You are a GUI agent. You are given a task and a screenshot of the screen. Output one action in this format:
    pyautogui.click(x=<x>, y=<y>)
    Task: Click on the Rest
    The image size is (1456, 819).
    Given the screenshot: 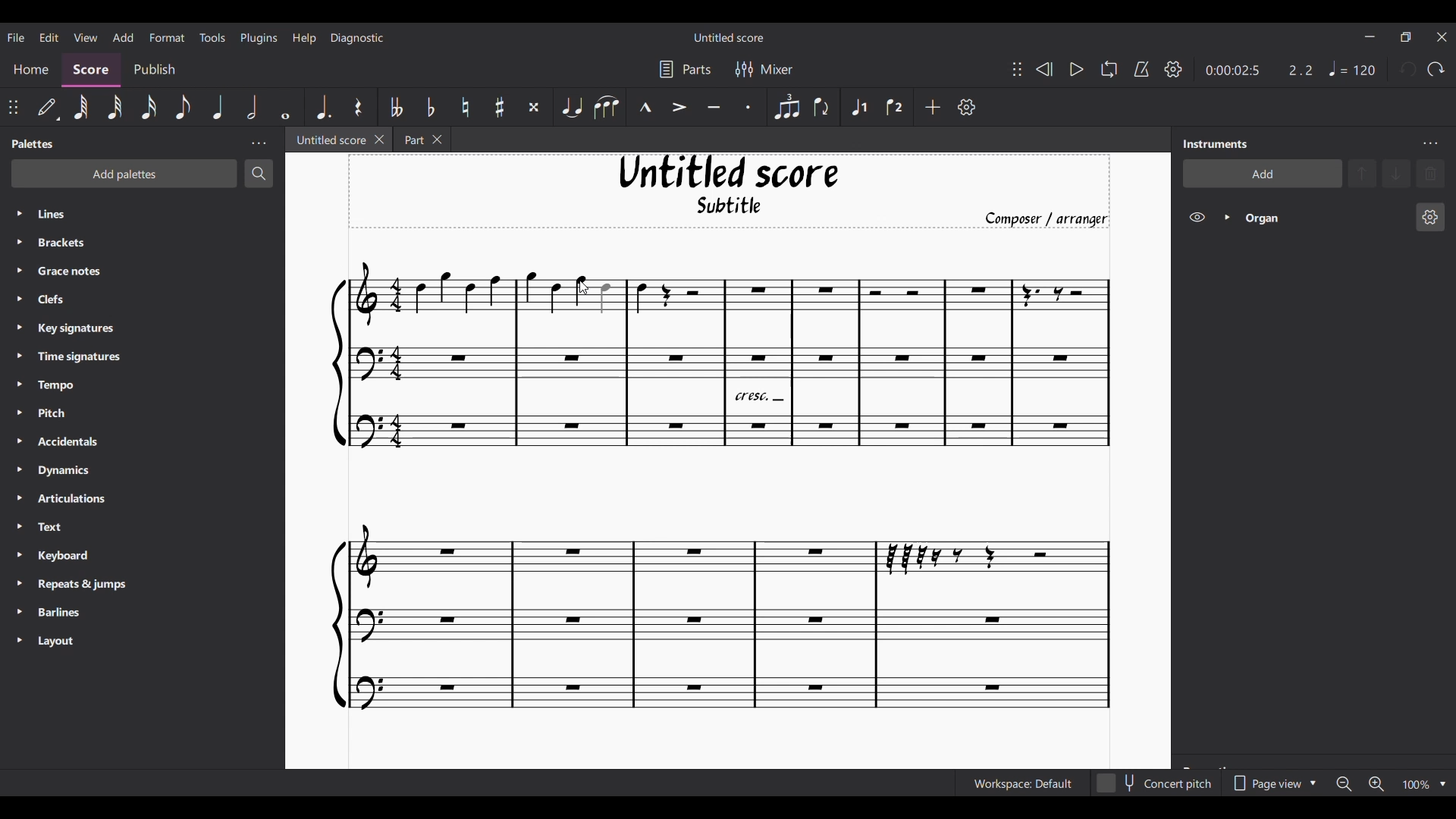 What is the action you would take?
    pyautogui.click(x=359, y=106)
    